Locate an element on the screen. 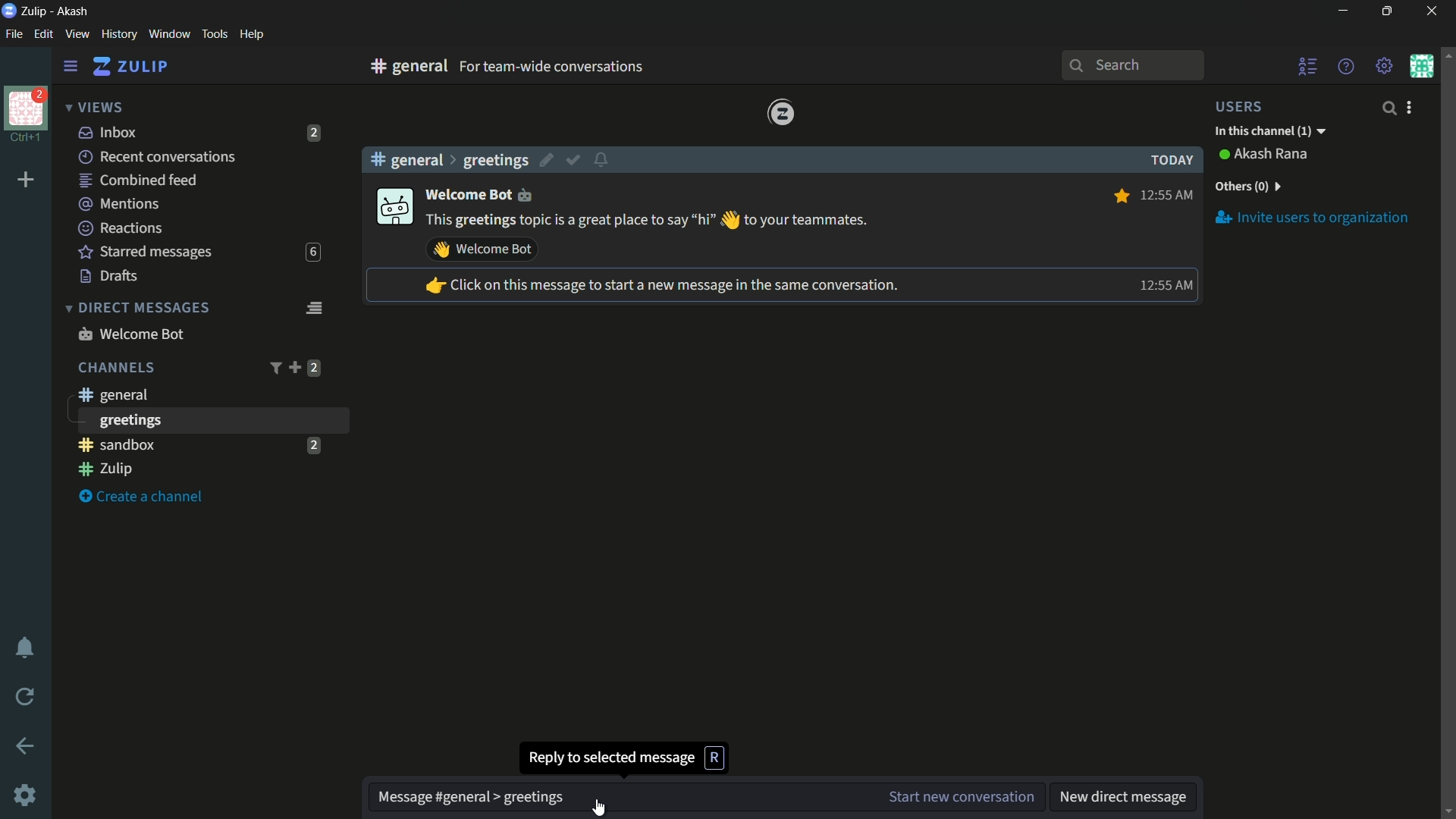 This screenshot has height=819, width=1456. greeting channel is located at coordinates (212, 420).